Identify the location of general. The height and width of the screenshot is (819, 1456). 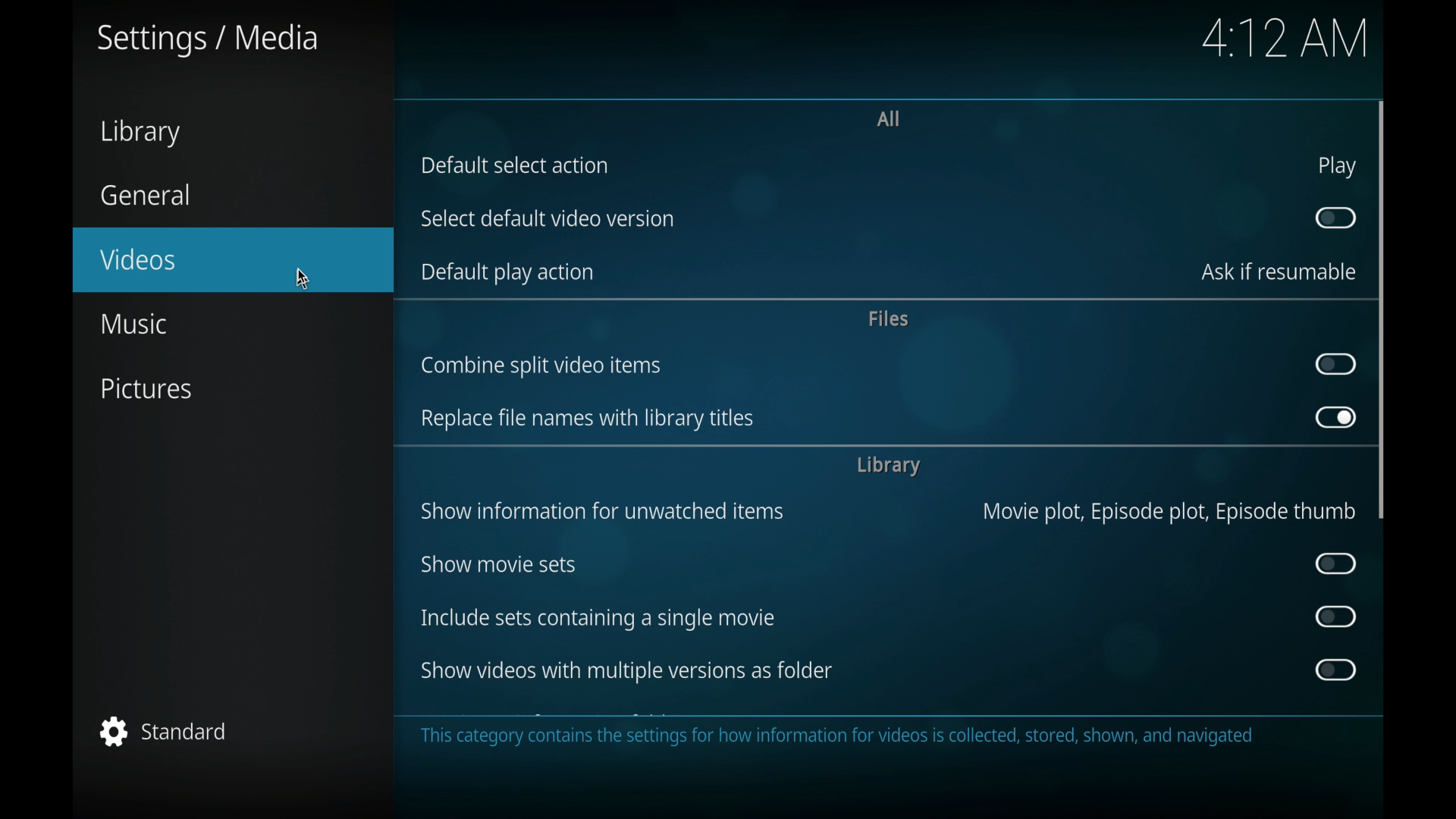
(149, 195).